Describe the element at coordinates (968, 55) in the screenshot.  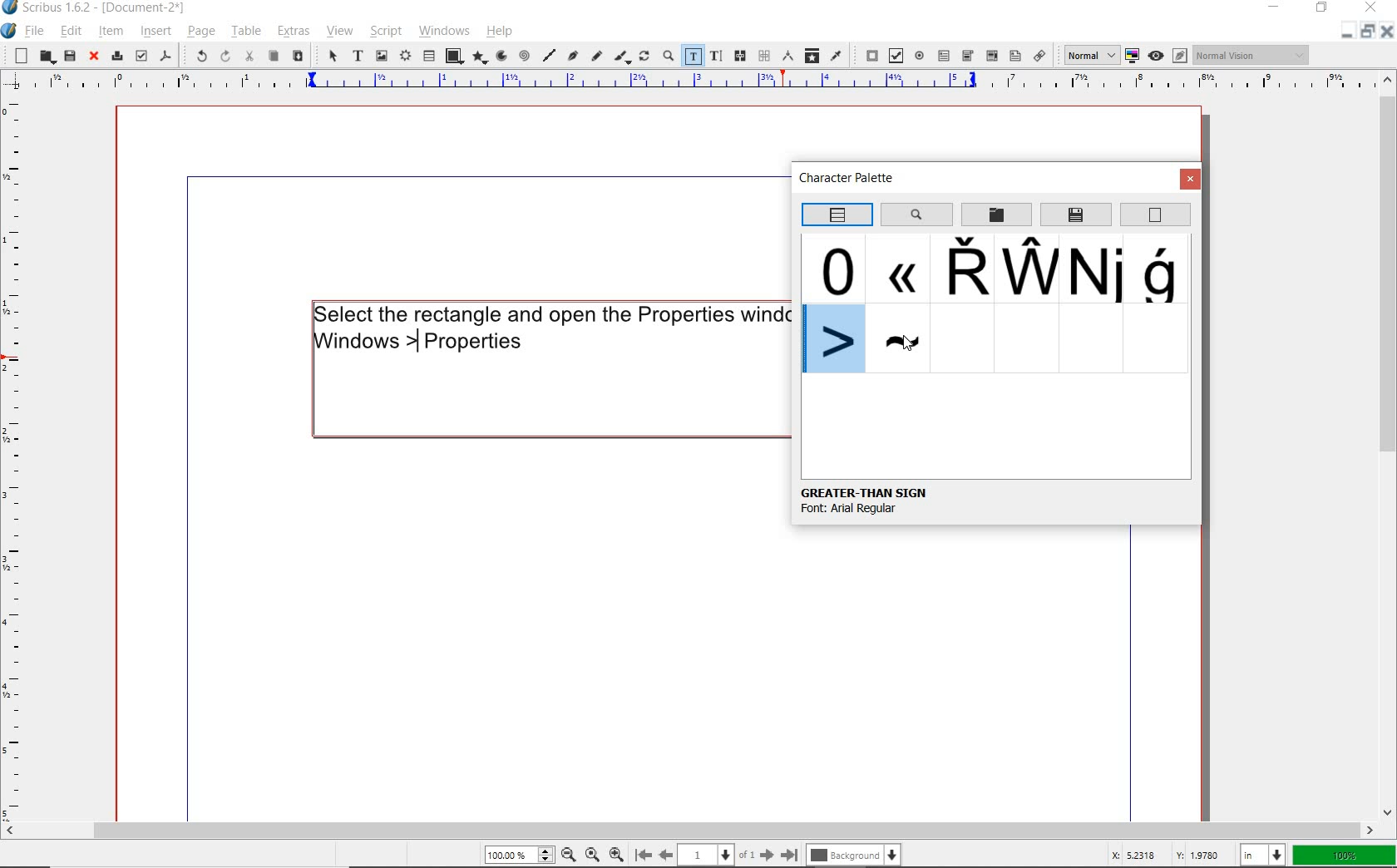
I see `pdf combo box` at that location.